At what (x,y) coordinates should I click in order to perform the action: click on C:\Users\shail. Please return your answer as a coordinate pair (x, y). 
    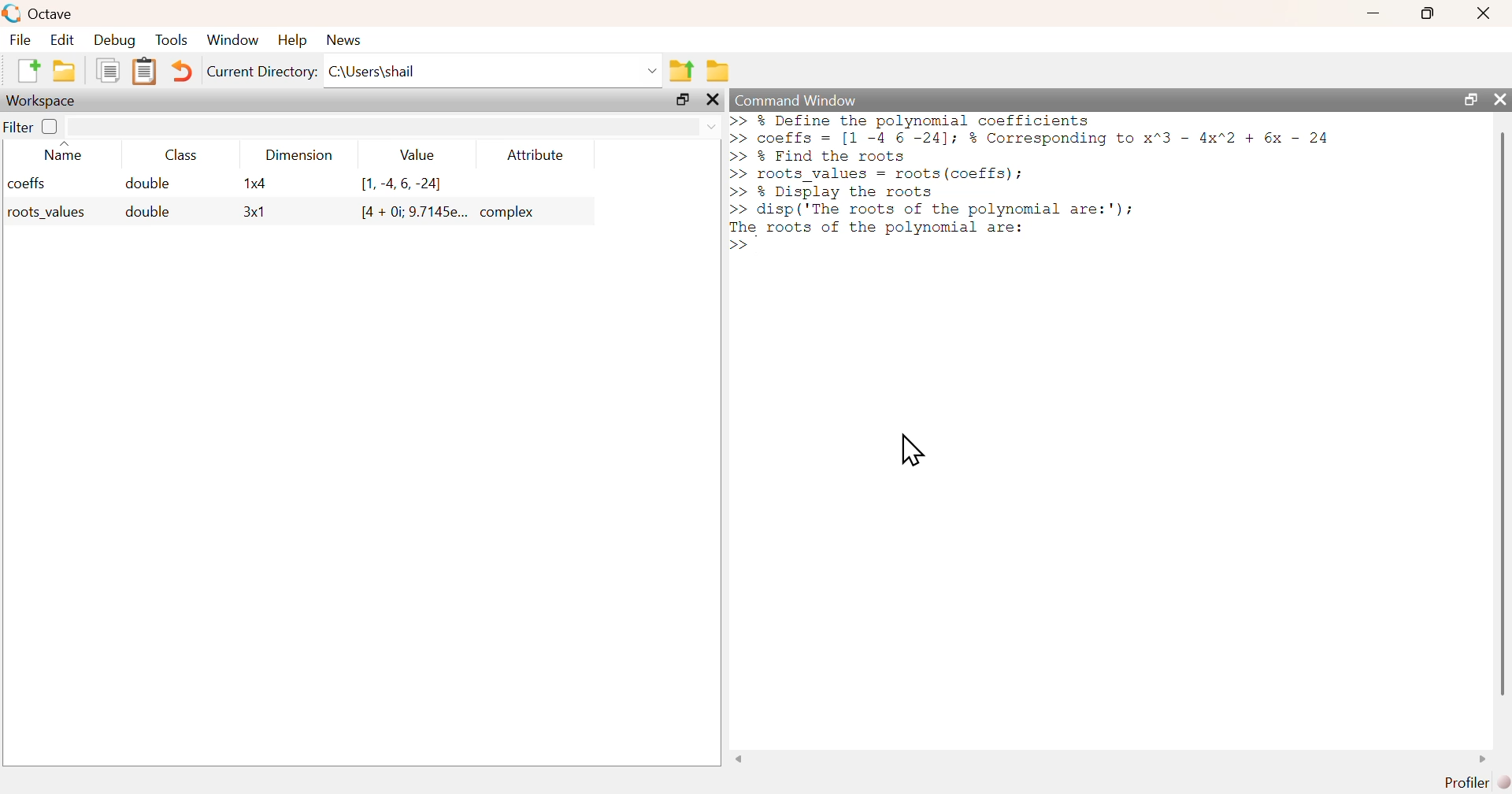
    Looking at the image, I should click on (372, 71).